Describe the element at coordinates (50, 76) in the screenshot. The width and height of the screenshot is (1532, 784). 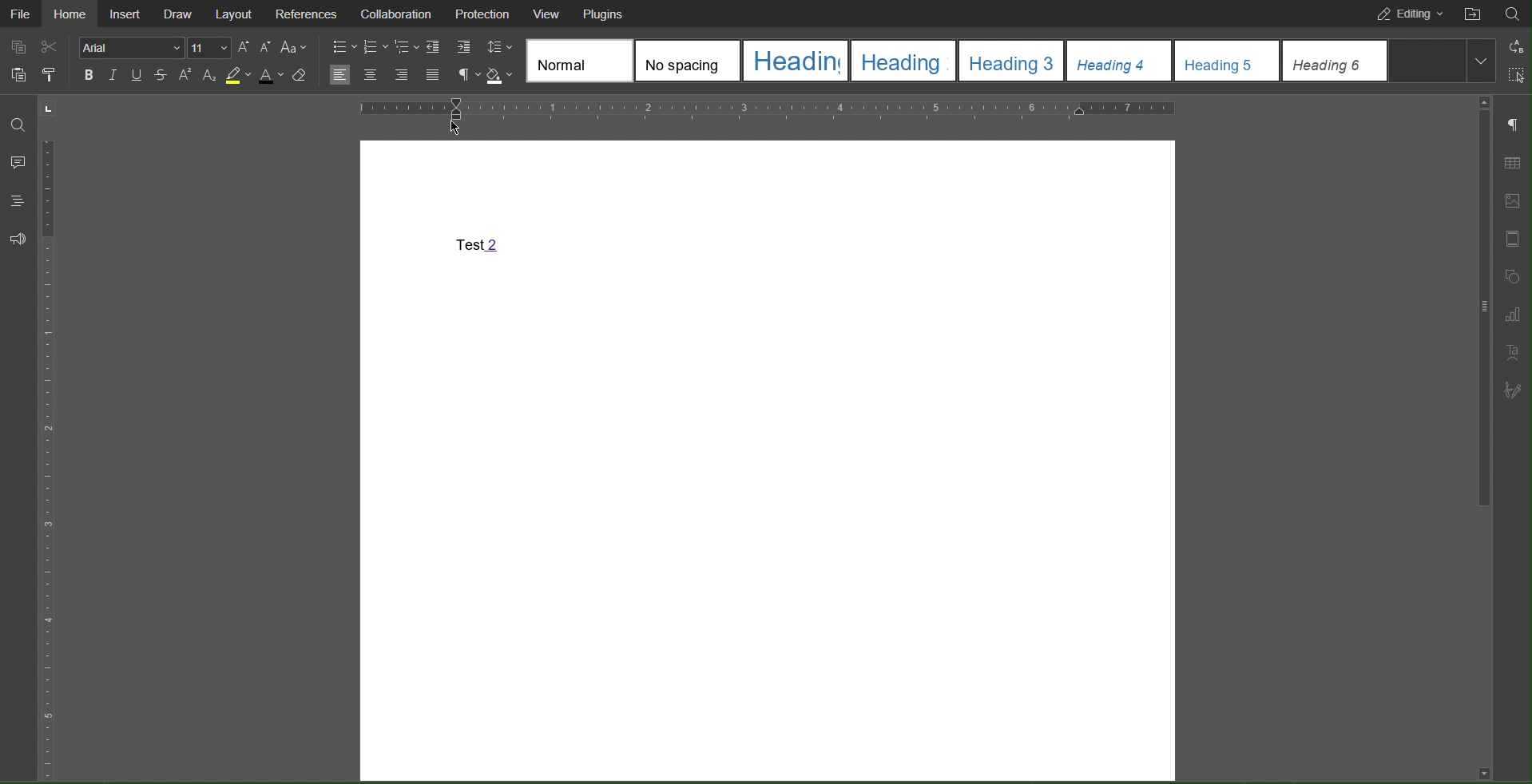
I see `print` at that location.